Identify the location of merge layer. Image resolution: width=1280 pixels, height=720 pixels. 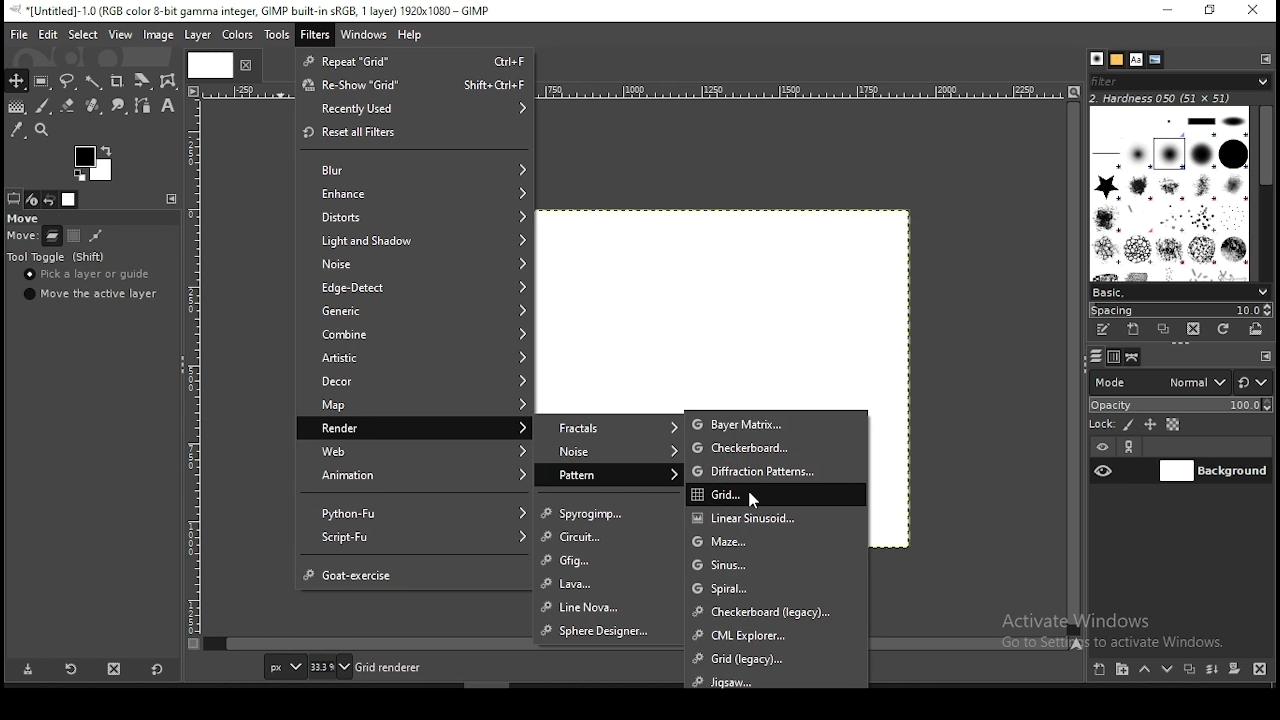
(1211, 671).